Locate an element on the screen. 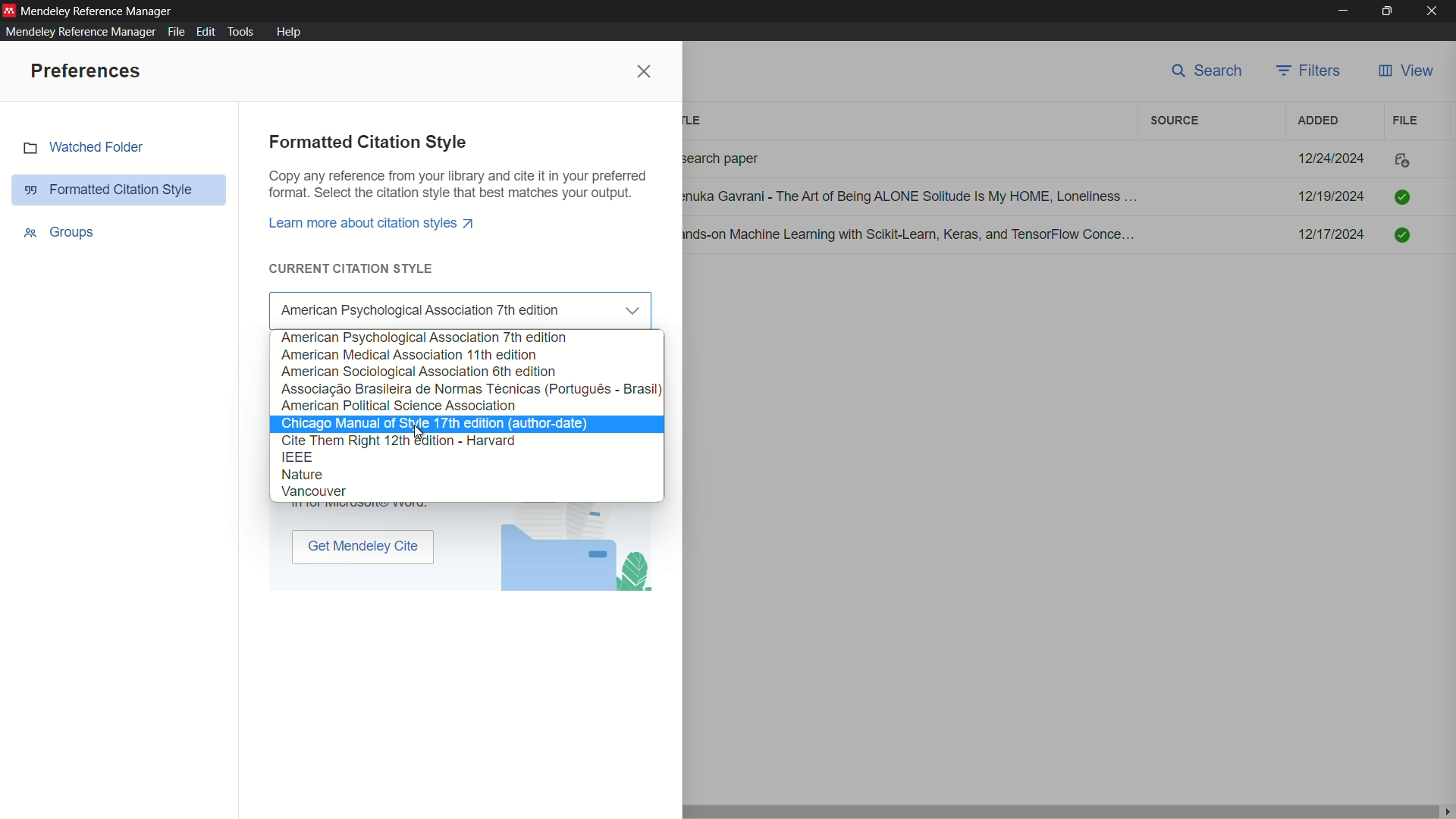  formatted citation style is located at coordinates (119, 189).